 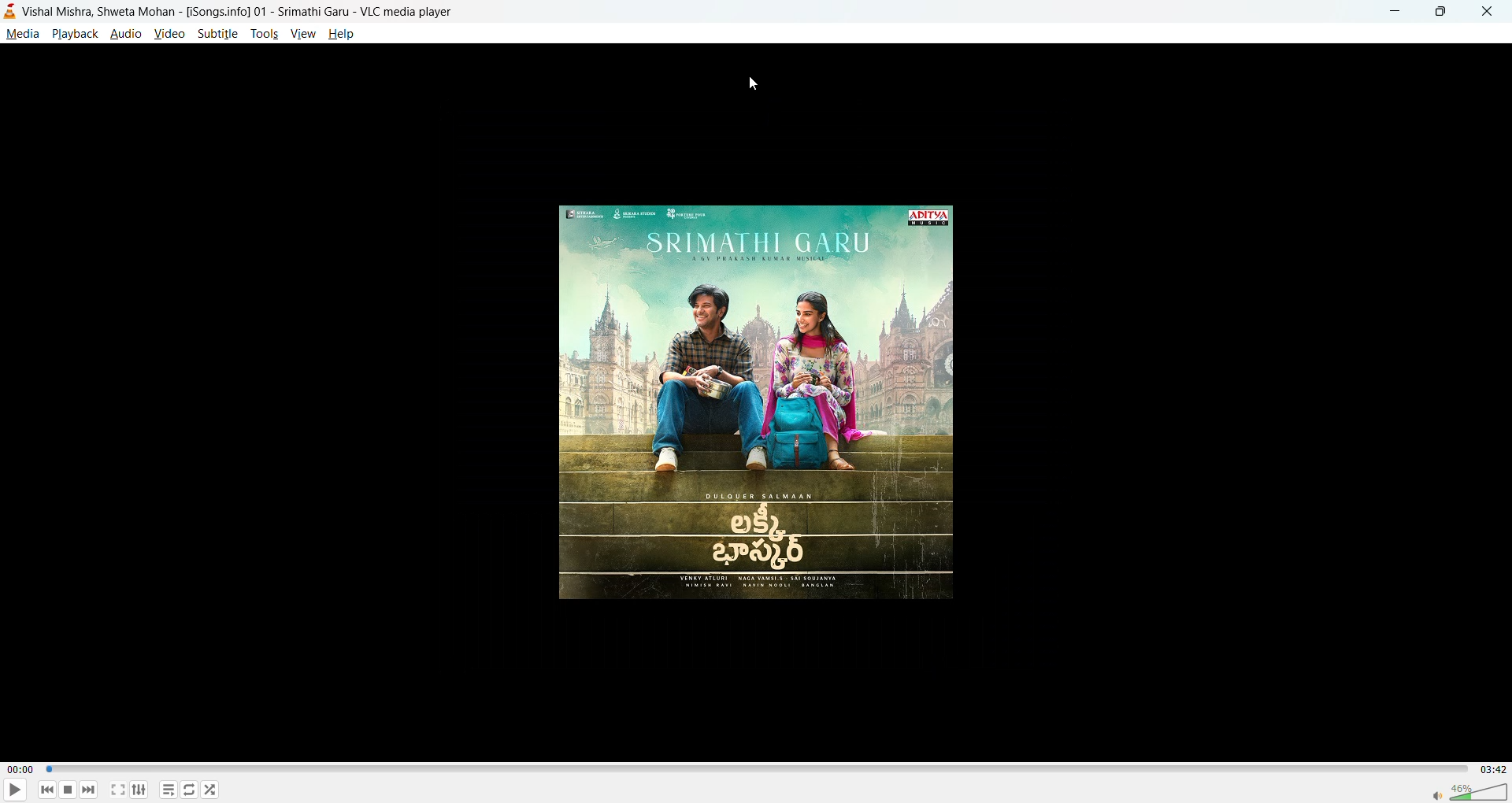 I want to click on play, so click(x=9, y=791).